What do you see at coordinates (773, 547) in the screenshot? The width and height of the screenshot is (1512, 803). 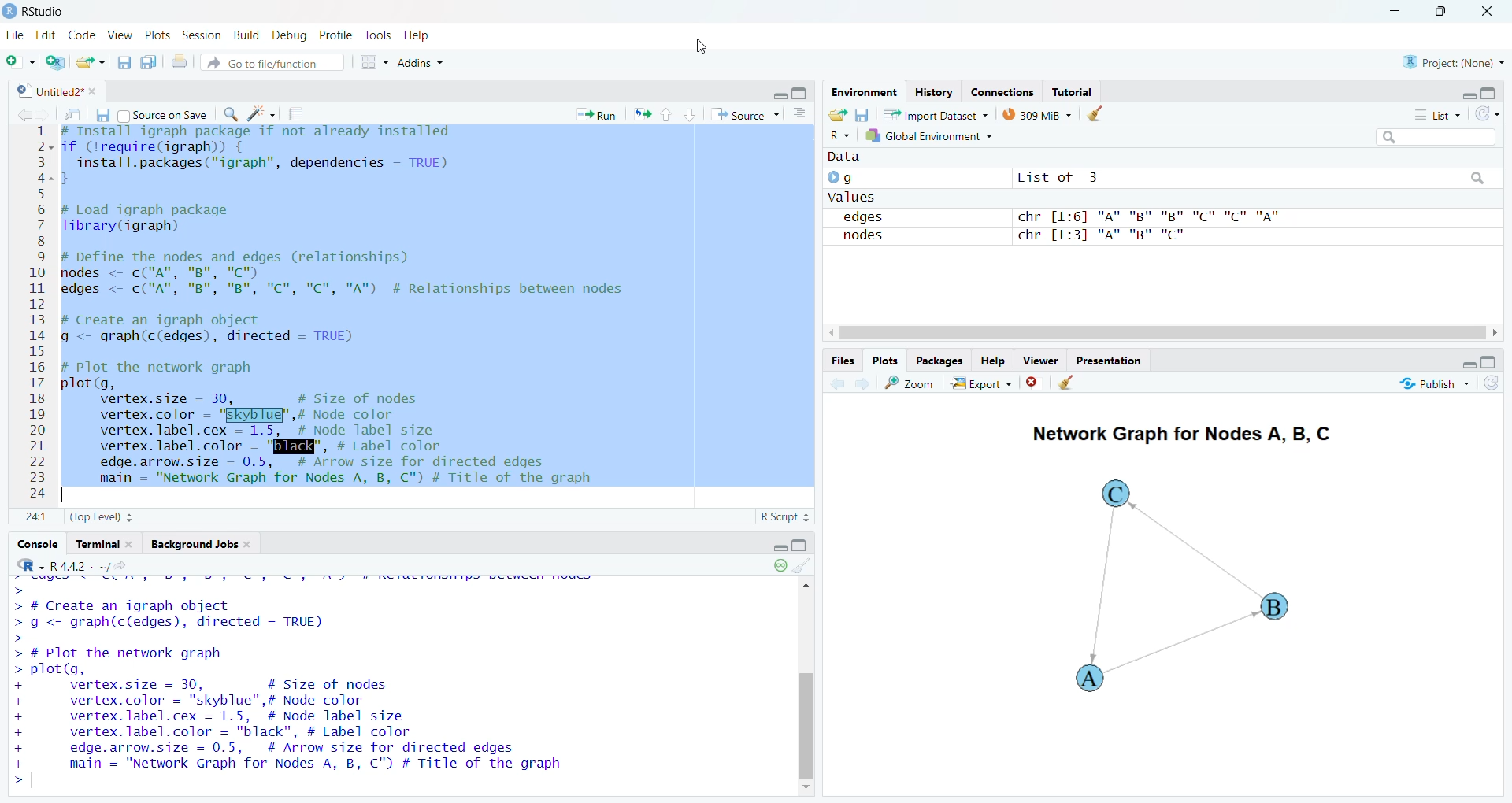 I see `minimise` at bounding box center [773, 547].